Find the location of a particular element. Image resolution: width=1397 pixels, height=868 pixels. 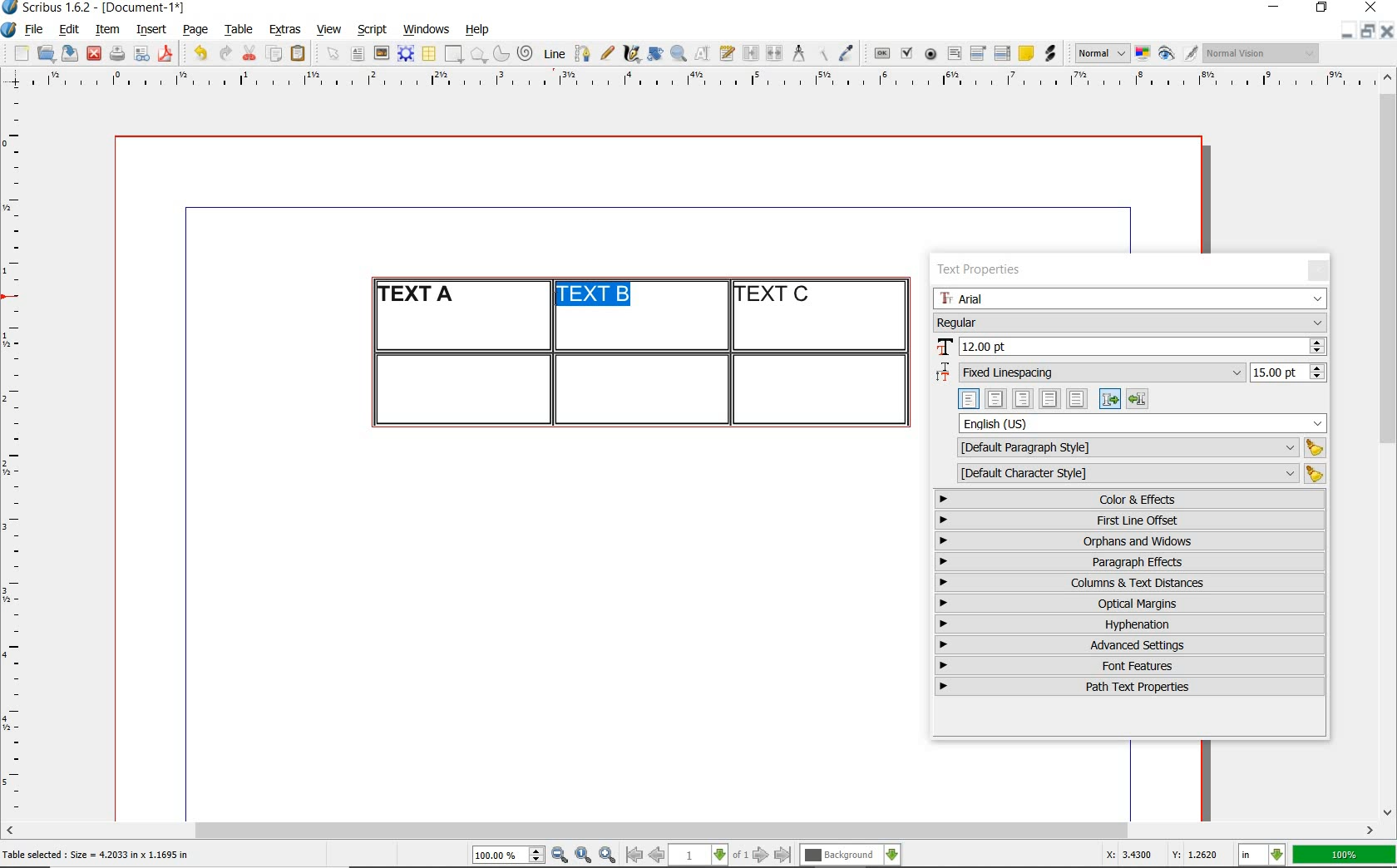

edit contents of frame is located at coordinates (703, 52).